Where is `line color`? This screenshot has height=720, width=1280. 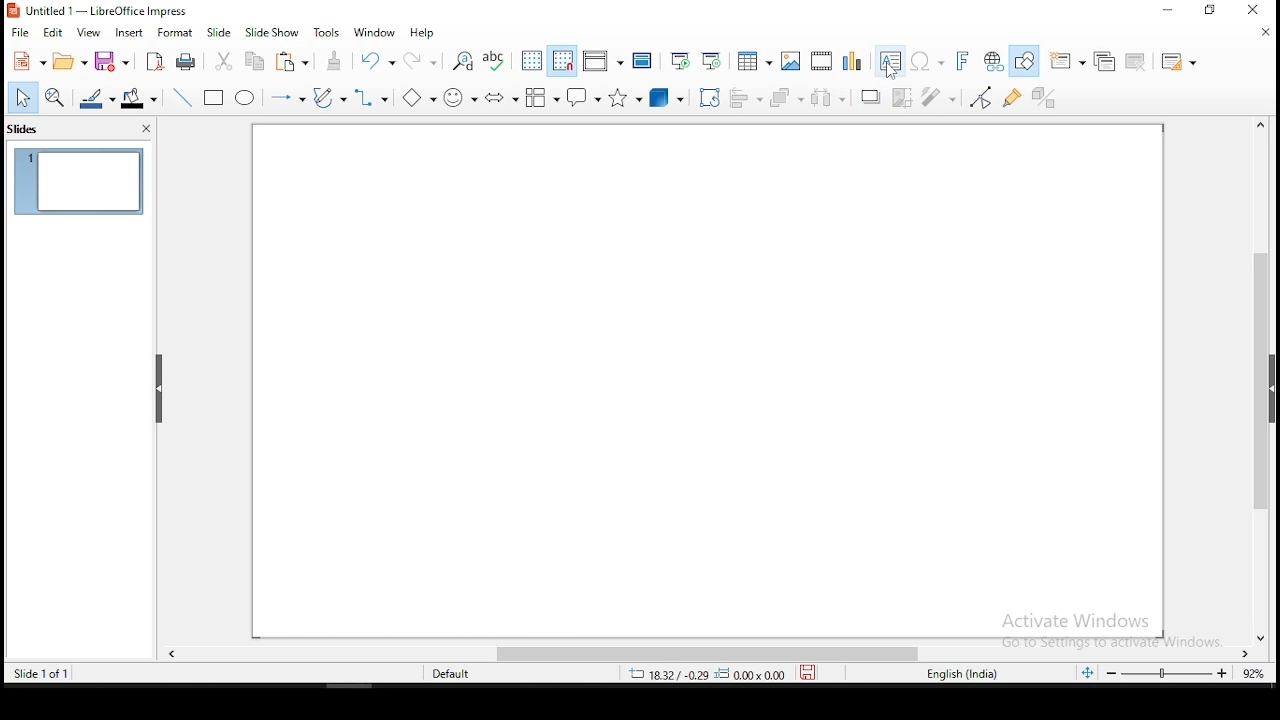
line color is located at coordinates (97, 98).